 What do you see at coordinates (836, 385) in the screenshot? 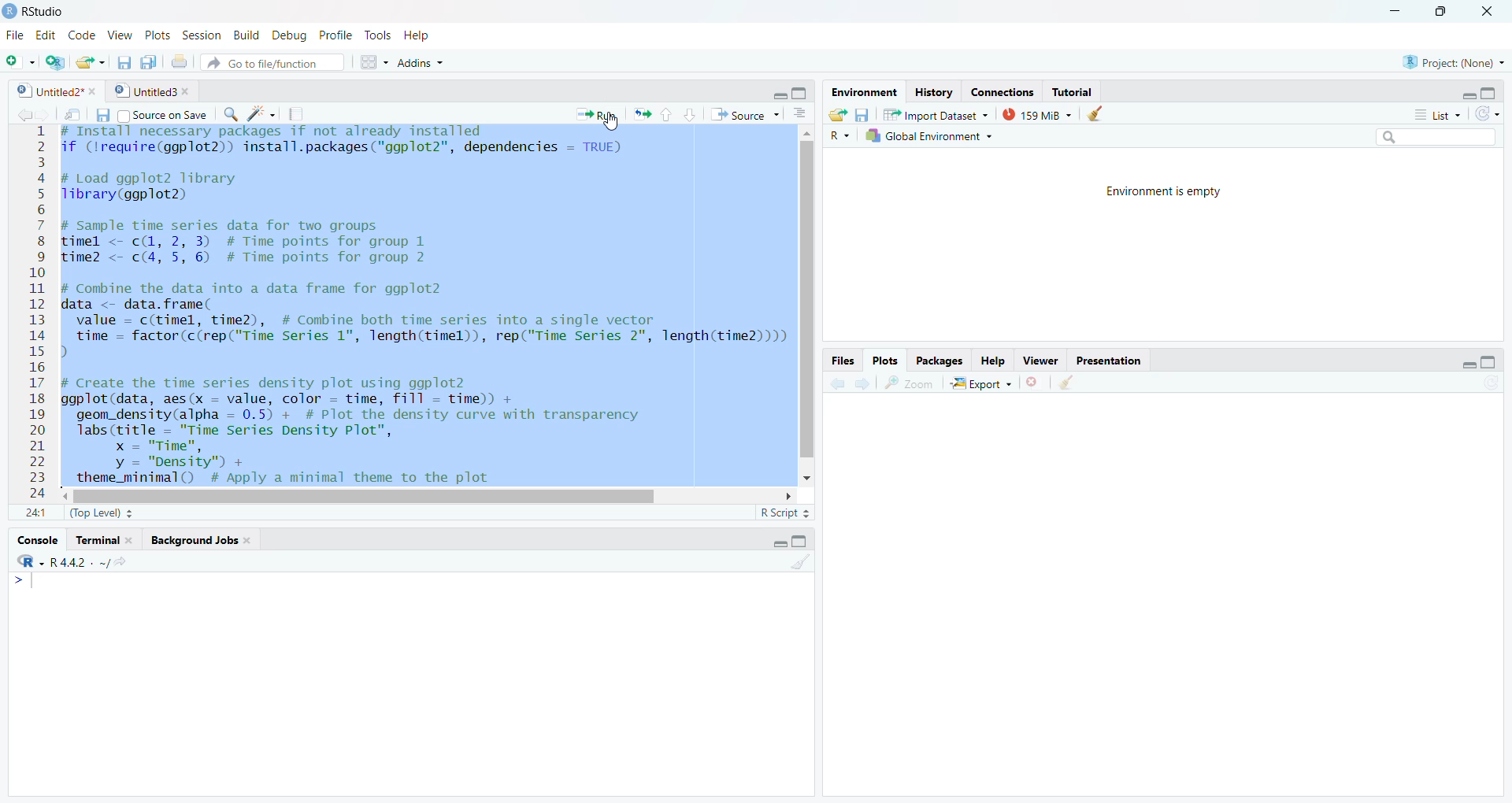
I see `previous` at bounding box center [836, 385].